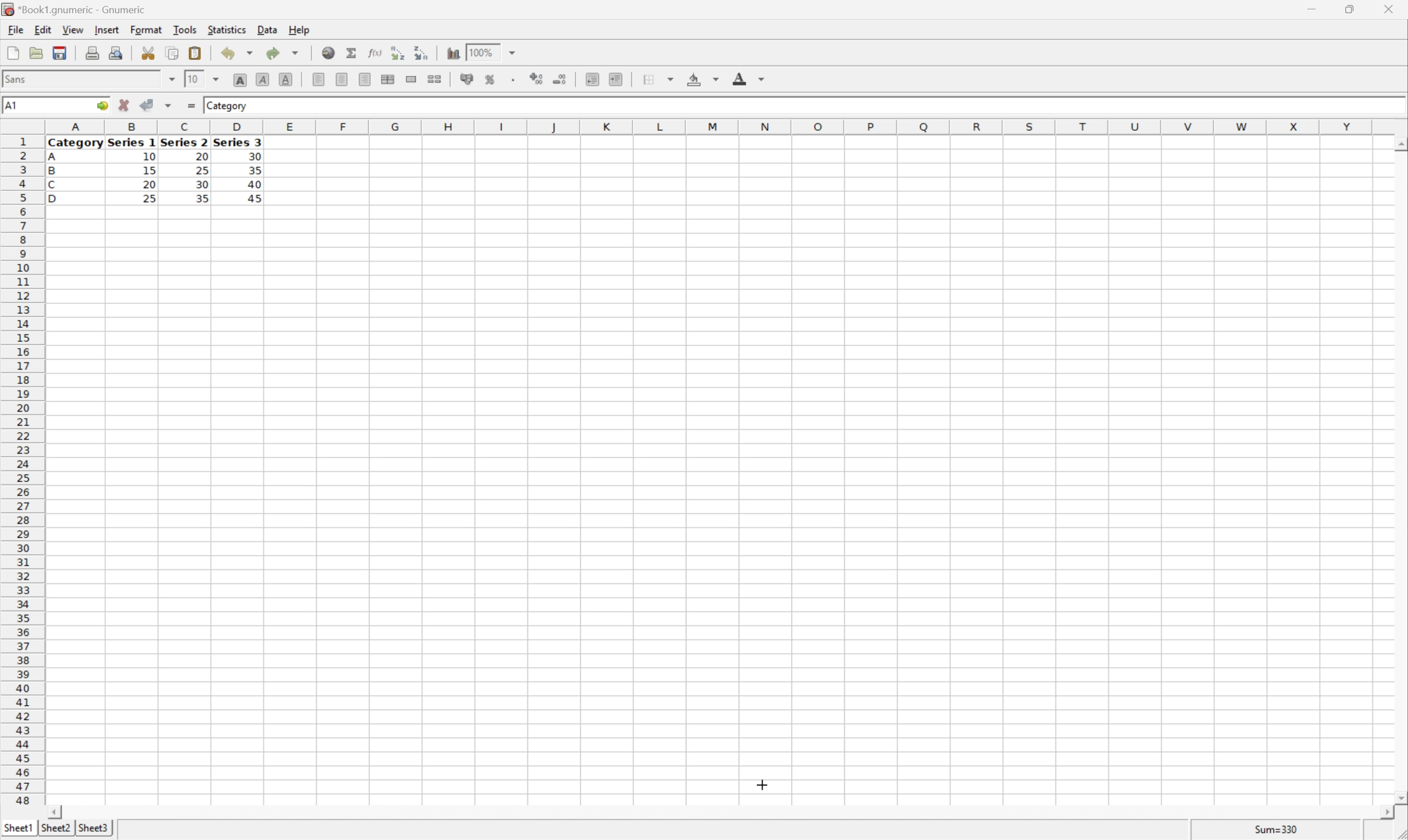 This screenshot has width=1408, height=840. What do you see at coordinates (194, 79) in the screenshot?
I see `10` at bounding box center [194, 79].